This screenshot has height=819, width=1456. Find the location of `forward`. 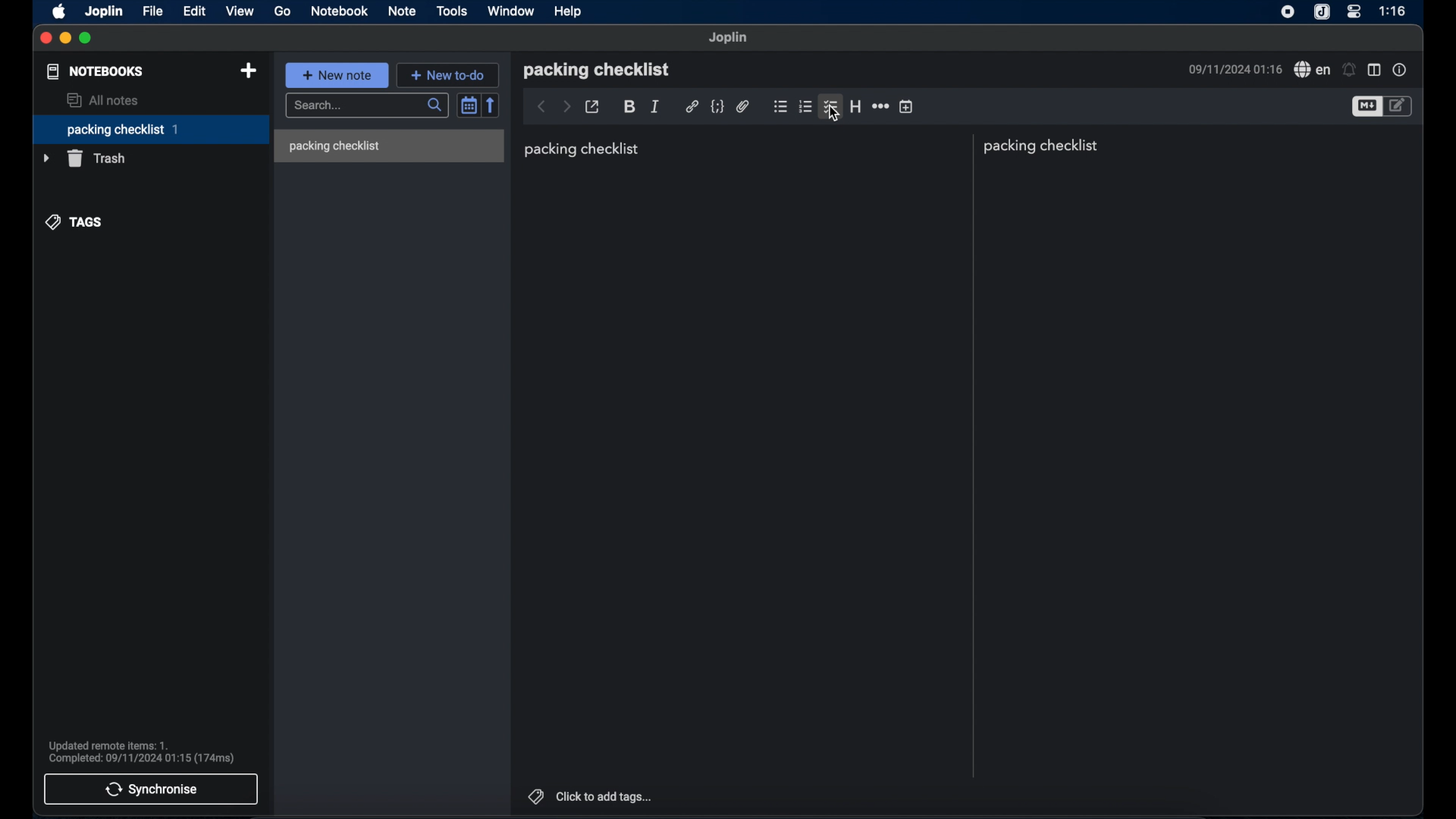

forward is located at coordinates (566, 106).